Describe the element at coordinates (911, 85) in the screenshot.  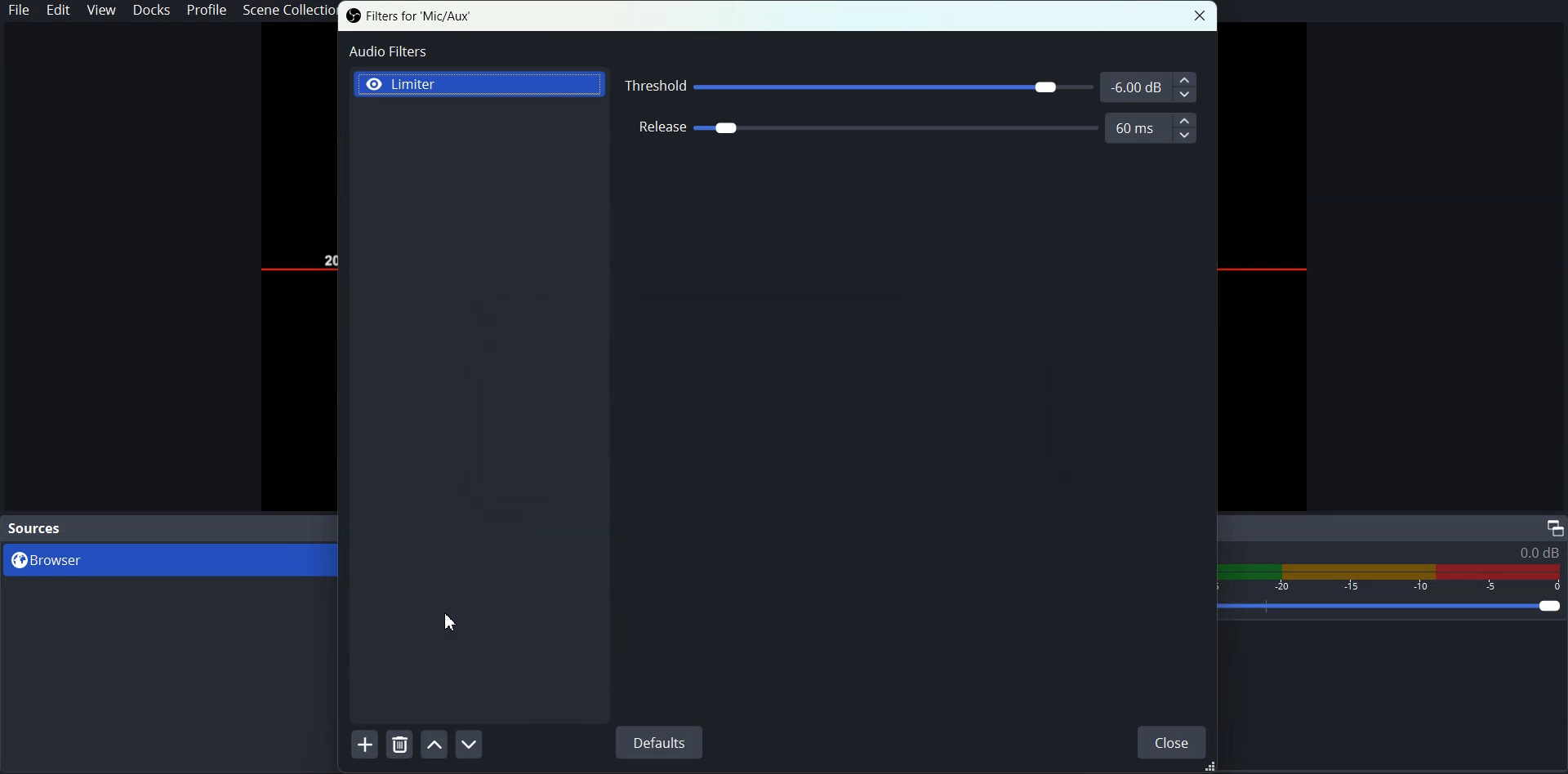
I see `Threshold` at that location.